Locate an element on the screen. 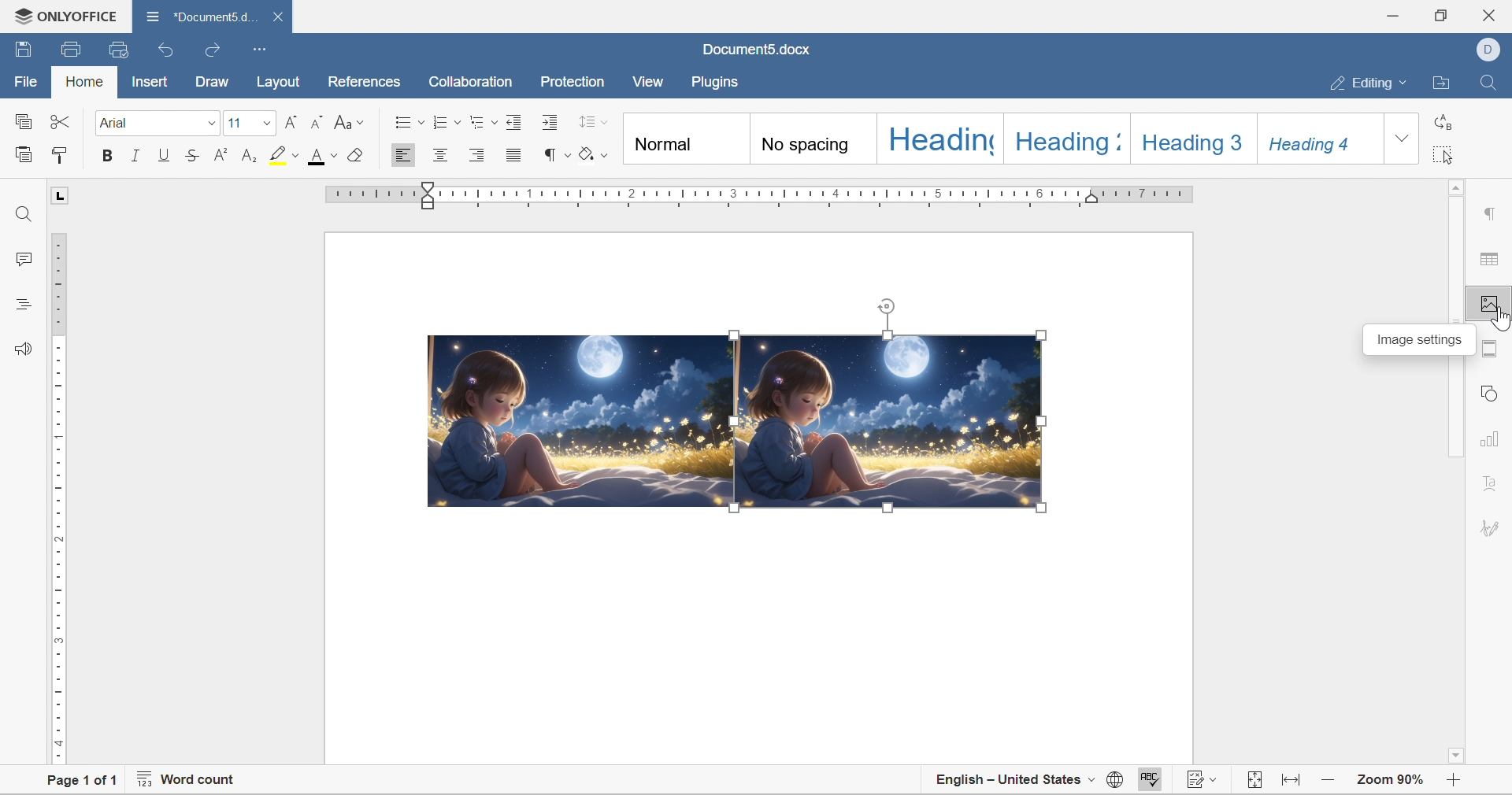  drop down is located at coordinates (265, 124).